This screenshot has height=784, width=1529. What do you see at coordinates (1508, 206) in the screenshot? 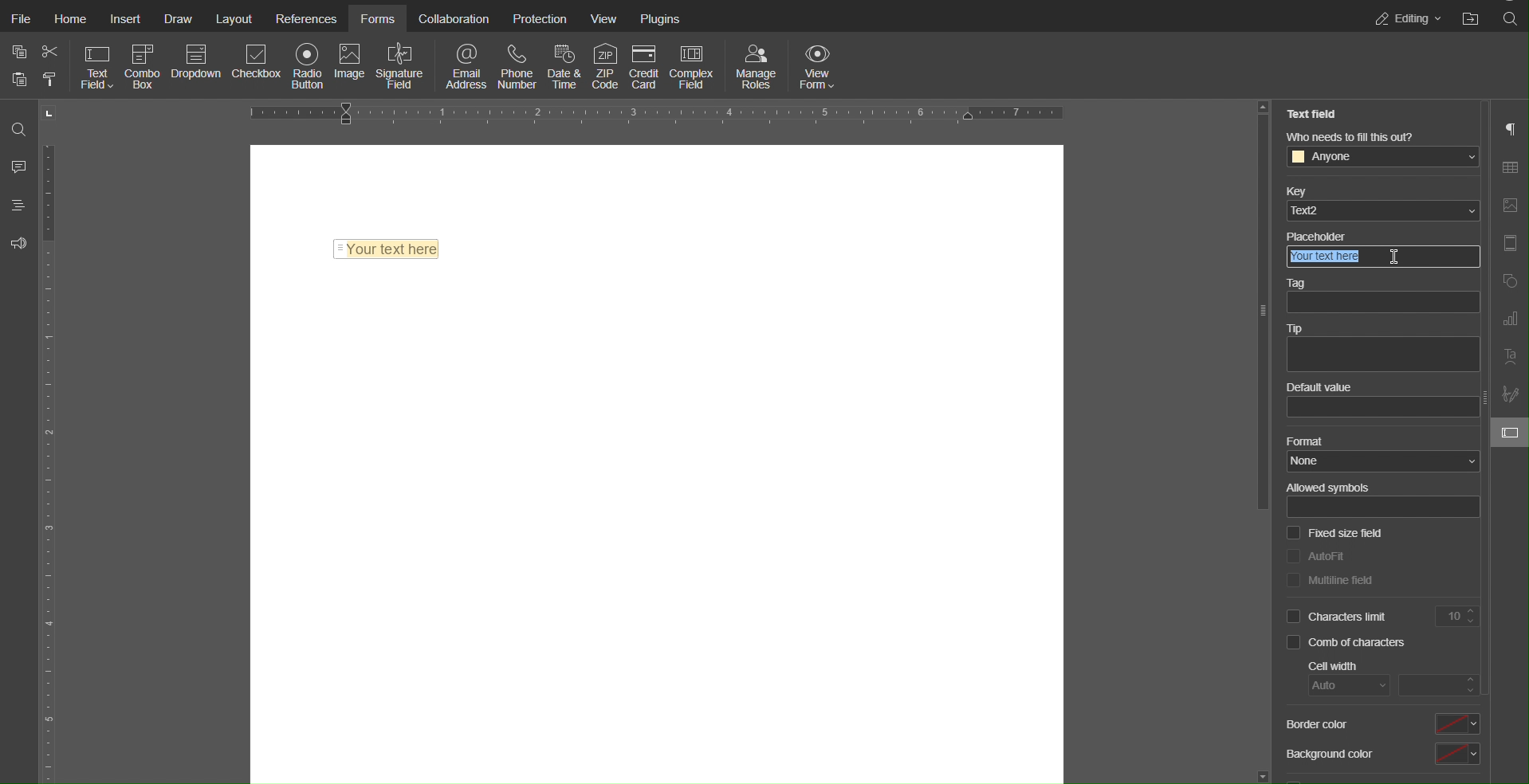
I see `Image Settings` at bounding box center [1508, 206].